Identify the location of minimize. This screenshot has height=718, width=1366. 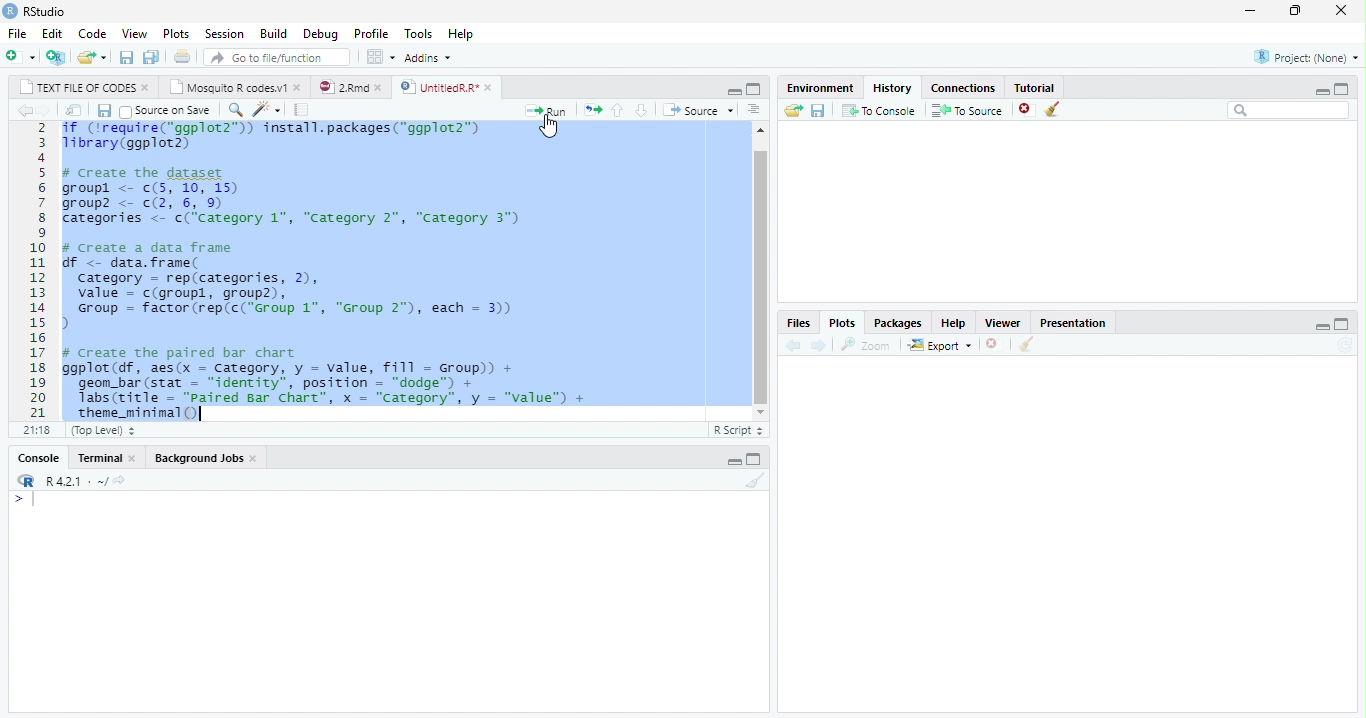
(1250, 10).